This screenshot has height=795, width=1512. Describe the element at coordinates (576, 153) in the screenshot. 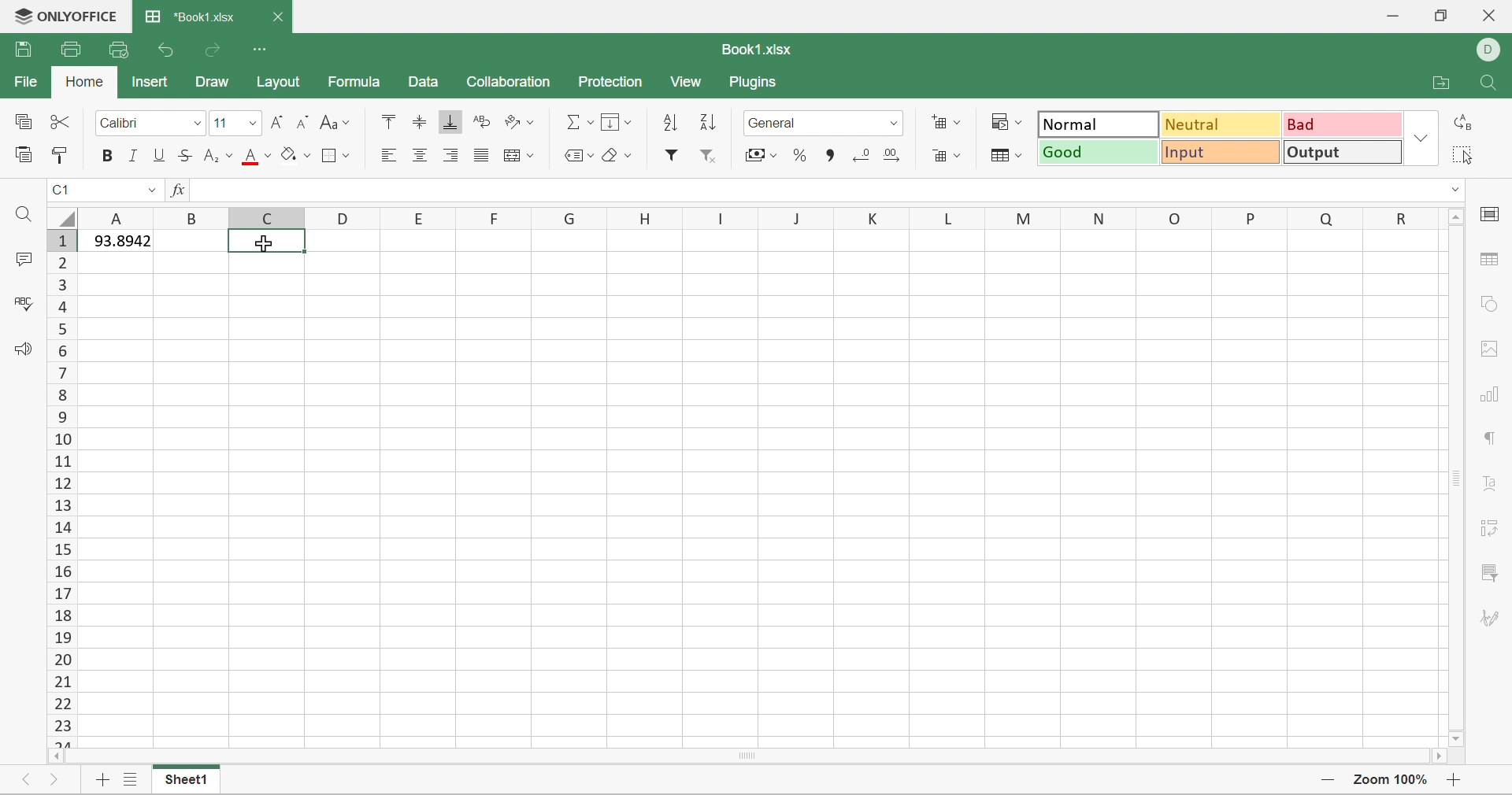

I see `Named ranges` at that location.